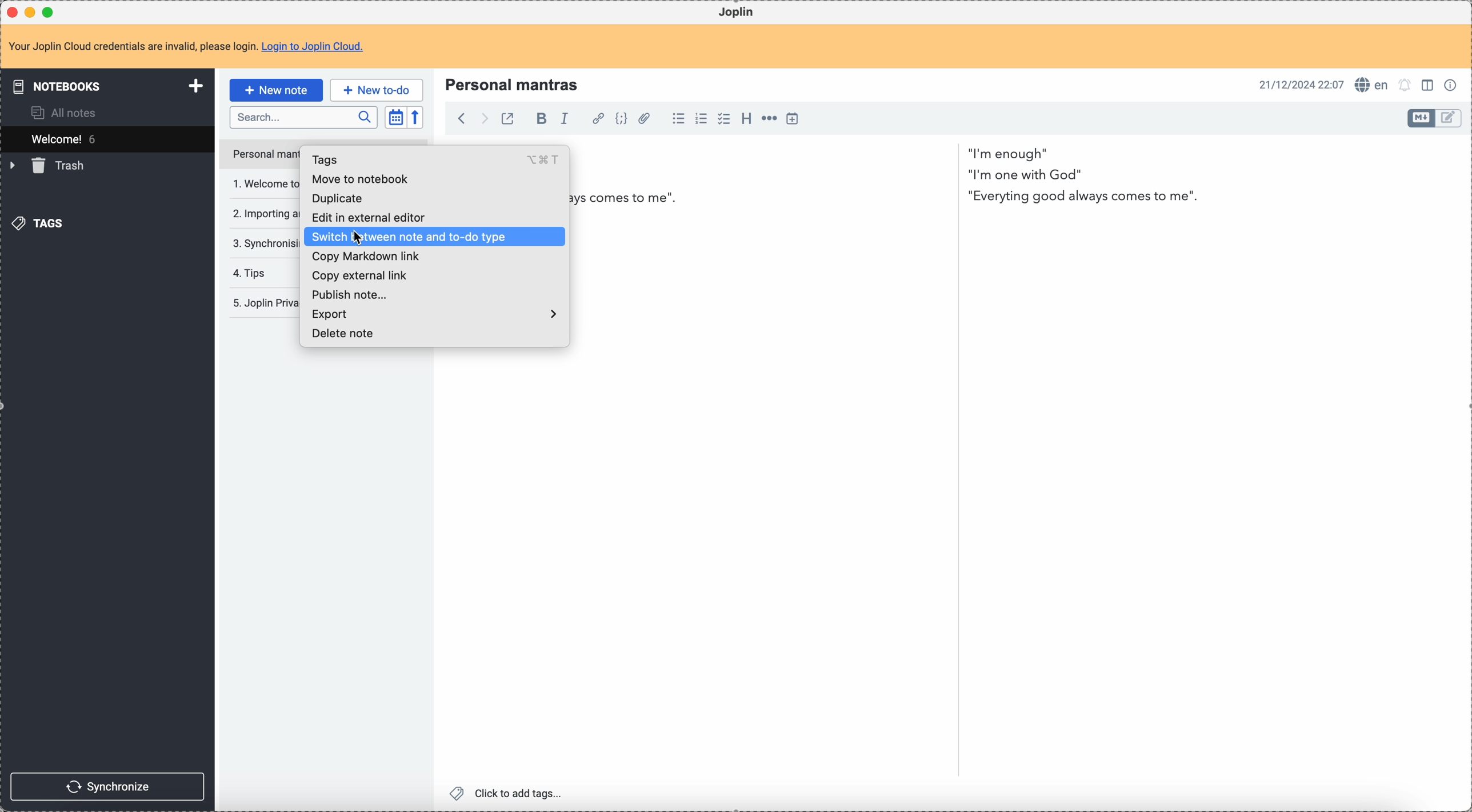  What do you see at coordinates (648, 119) in the screenshot?
I see `attach file` at bounding box center [648, 119].